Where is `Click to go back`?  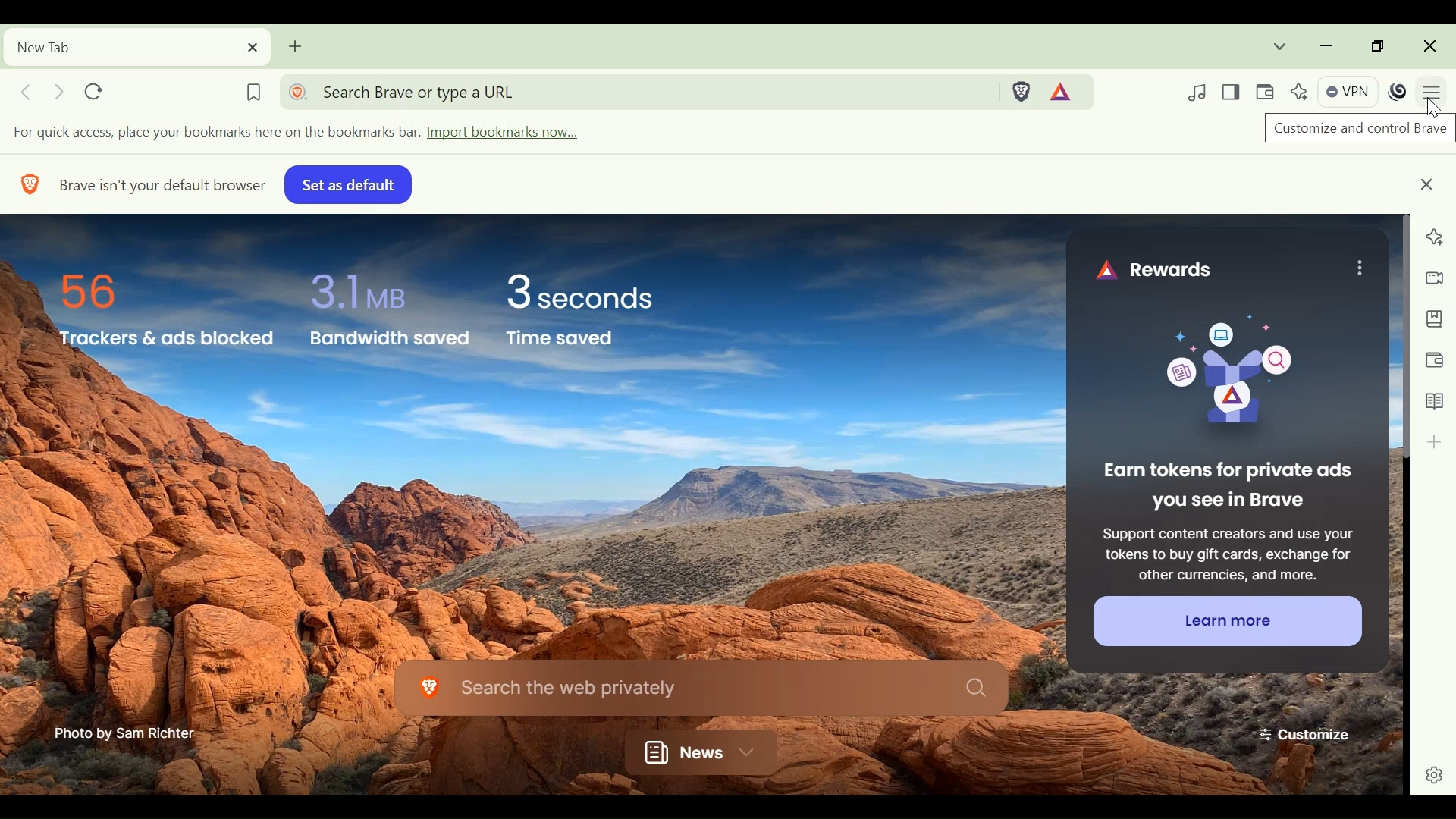
Click to go back is located at coordinates (25, 91).